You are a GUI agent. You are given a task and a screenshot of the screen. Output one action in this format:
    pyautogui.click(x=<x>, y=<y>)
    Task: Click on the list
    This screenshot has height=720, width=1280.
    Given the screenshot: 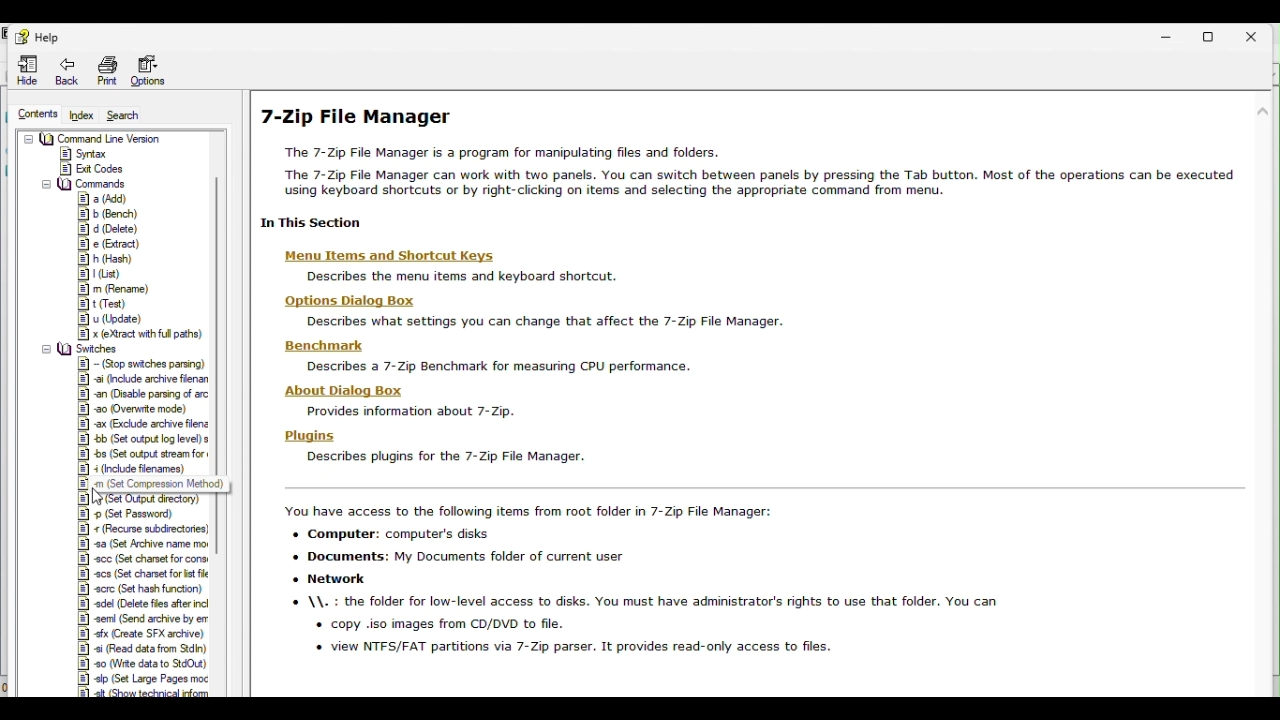 What is the action you would take?
    pyautogui.click(x=106, y=272)
    